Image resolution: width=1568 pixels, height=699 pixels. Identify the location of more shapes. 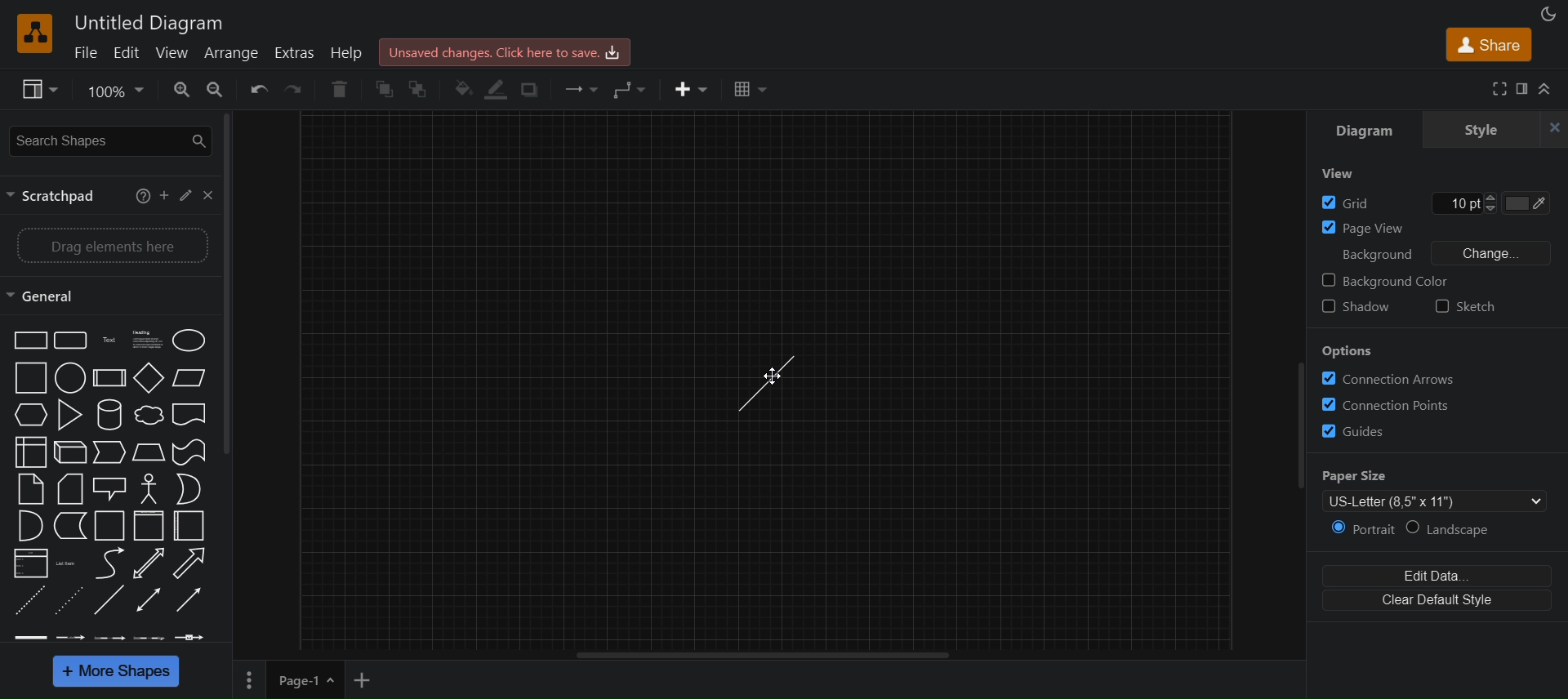
(119, 672).